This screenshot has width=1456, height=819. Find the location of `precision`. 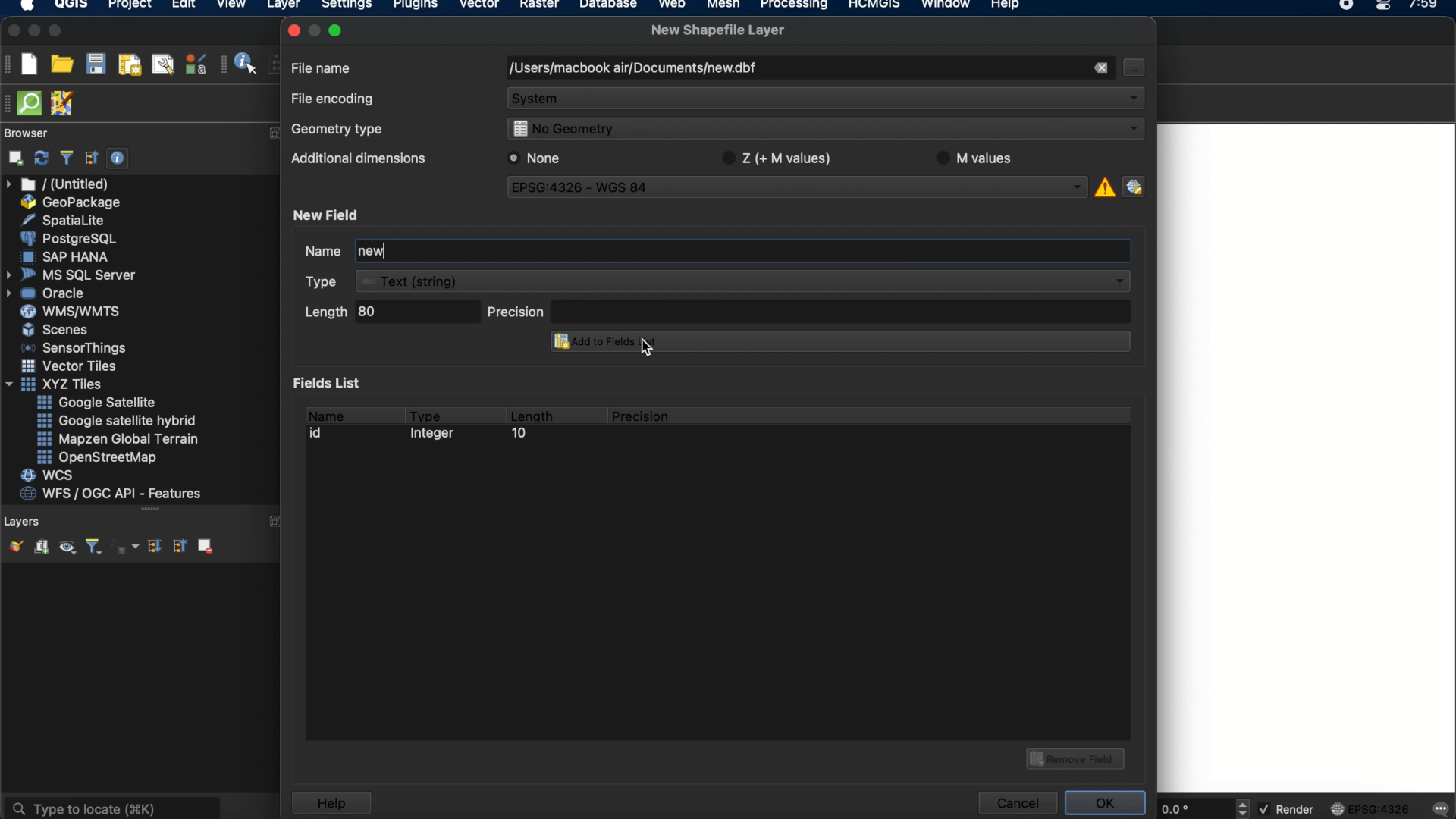

precision is located at coordinates (642, 416).